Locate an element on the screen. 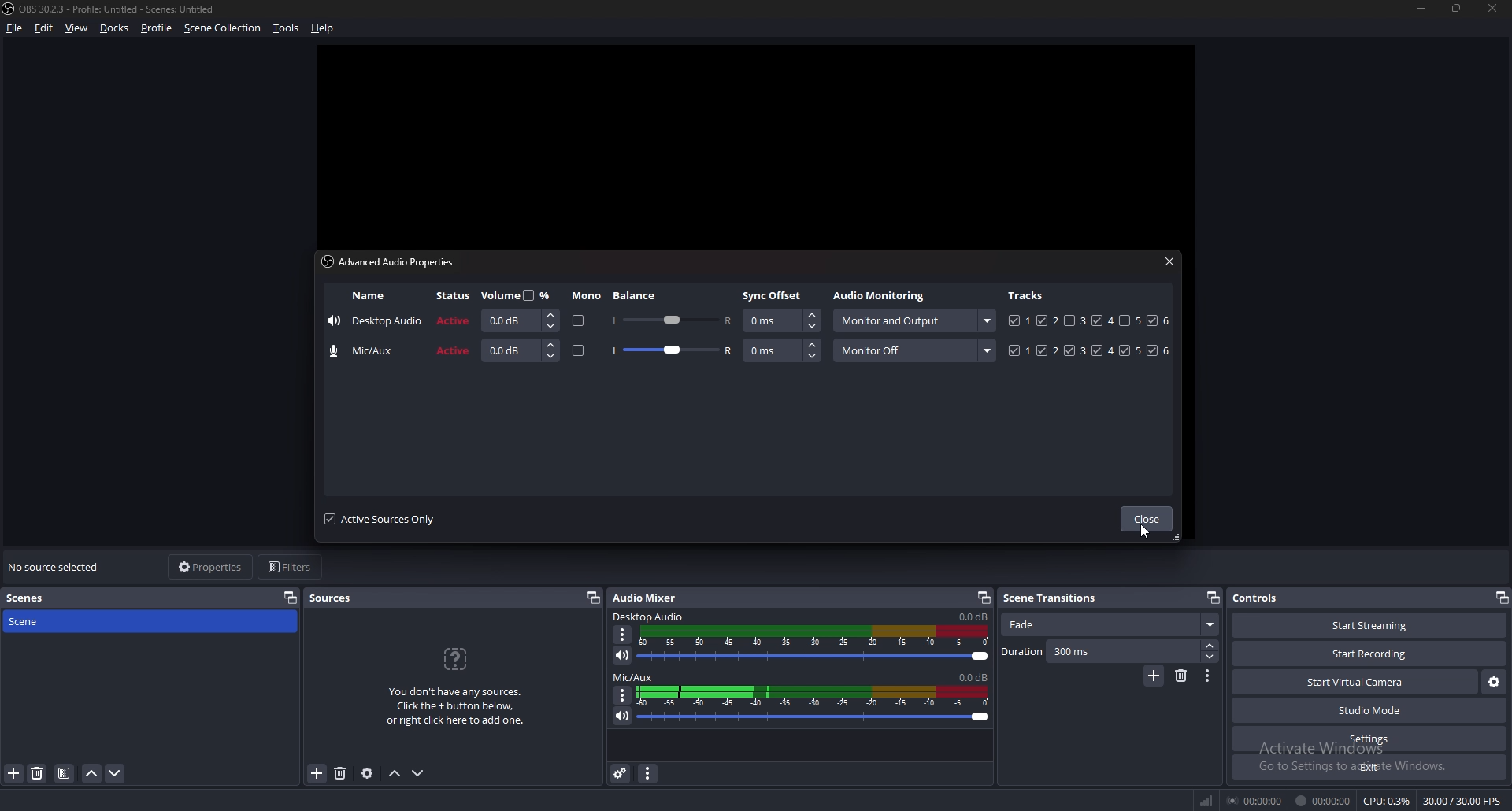  audio monitoring is located at coordinates (913, 320).